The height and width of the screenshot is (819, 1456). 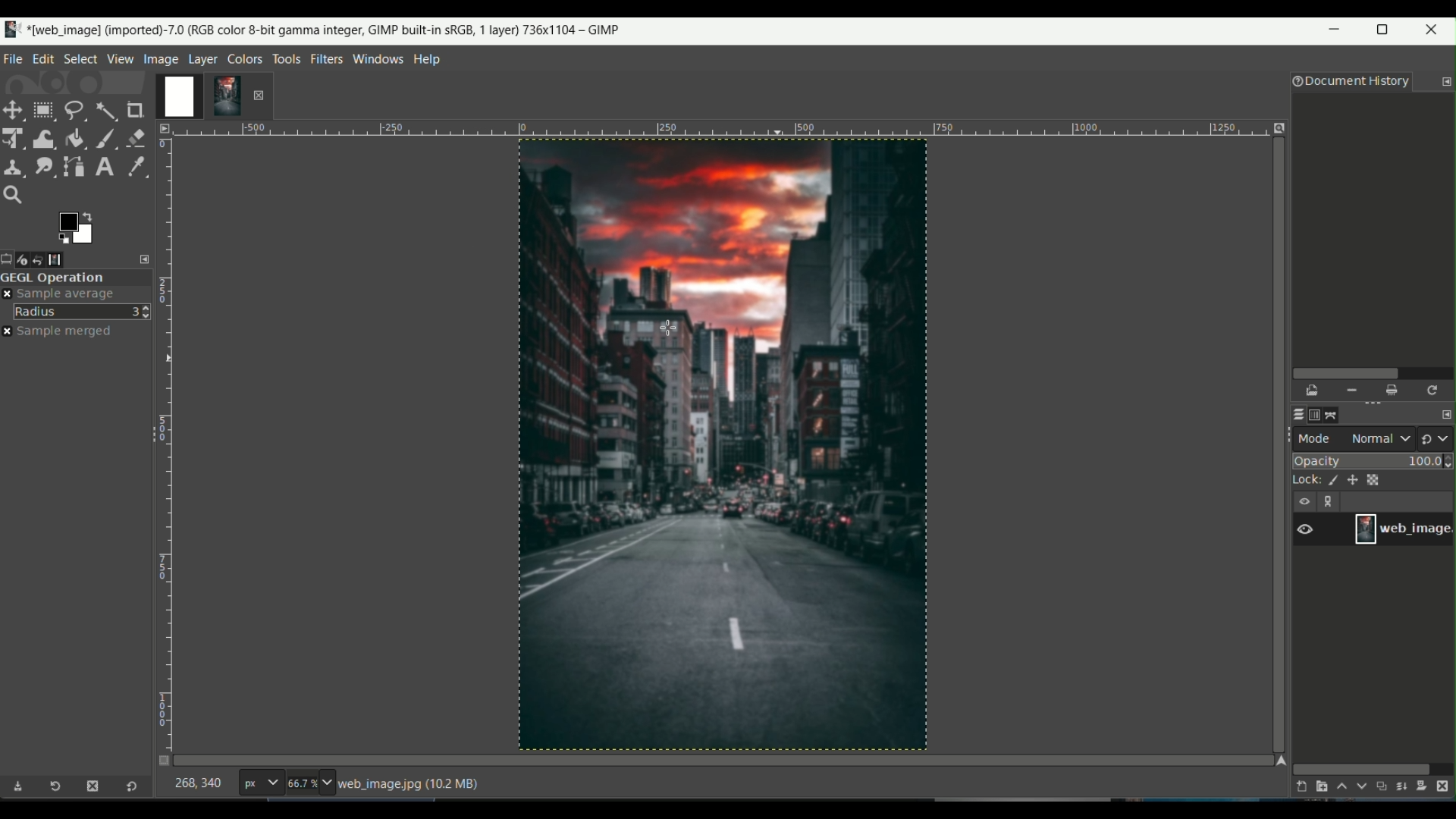 I want to click on free select tool, so click(x=74, y=108).